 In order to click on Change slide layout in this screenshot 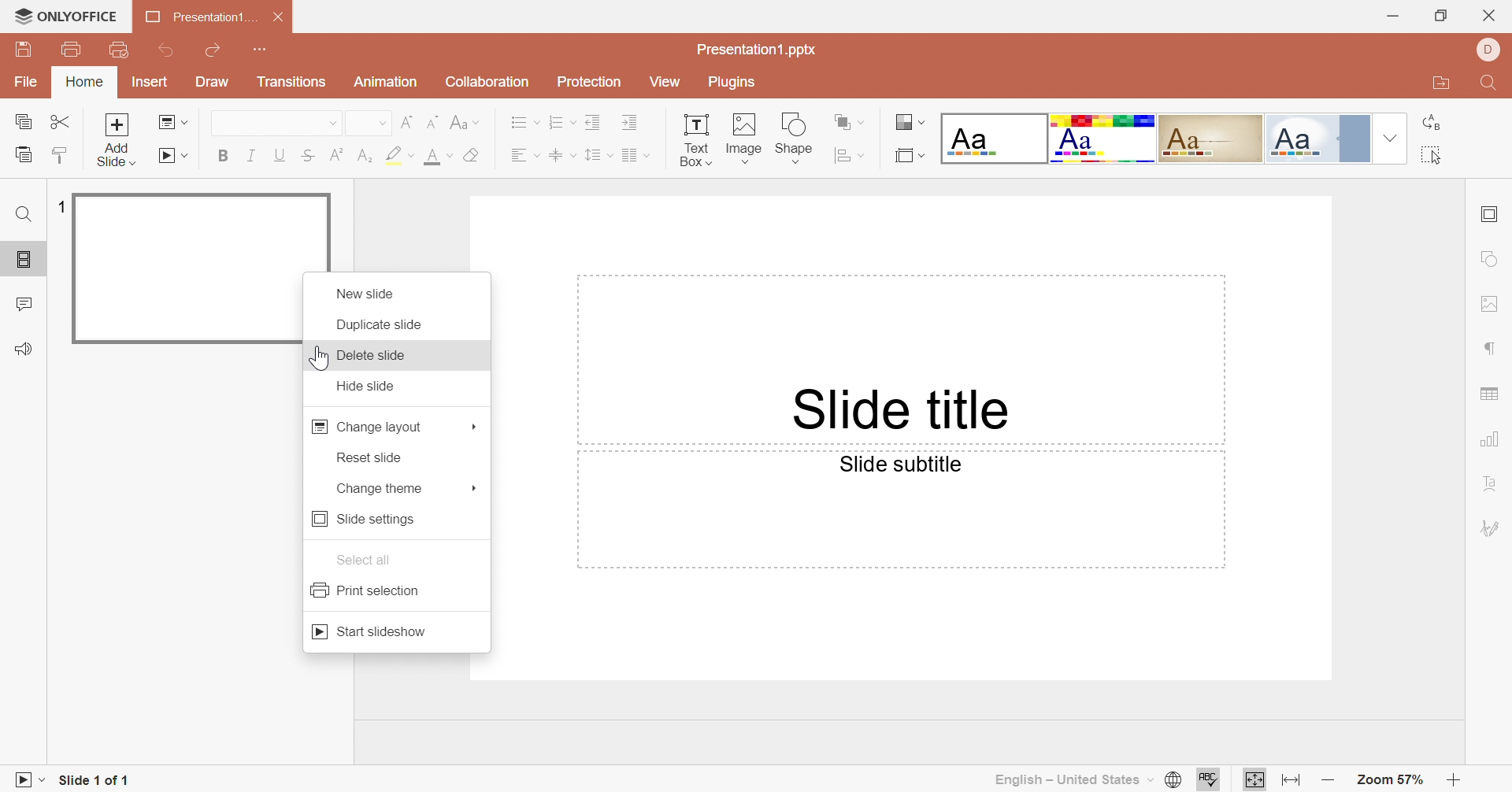, I will do `click(161, 121)`.